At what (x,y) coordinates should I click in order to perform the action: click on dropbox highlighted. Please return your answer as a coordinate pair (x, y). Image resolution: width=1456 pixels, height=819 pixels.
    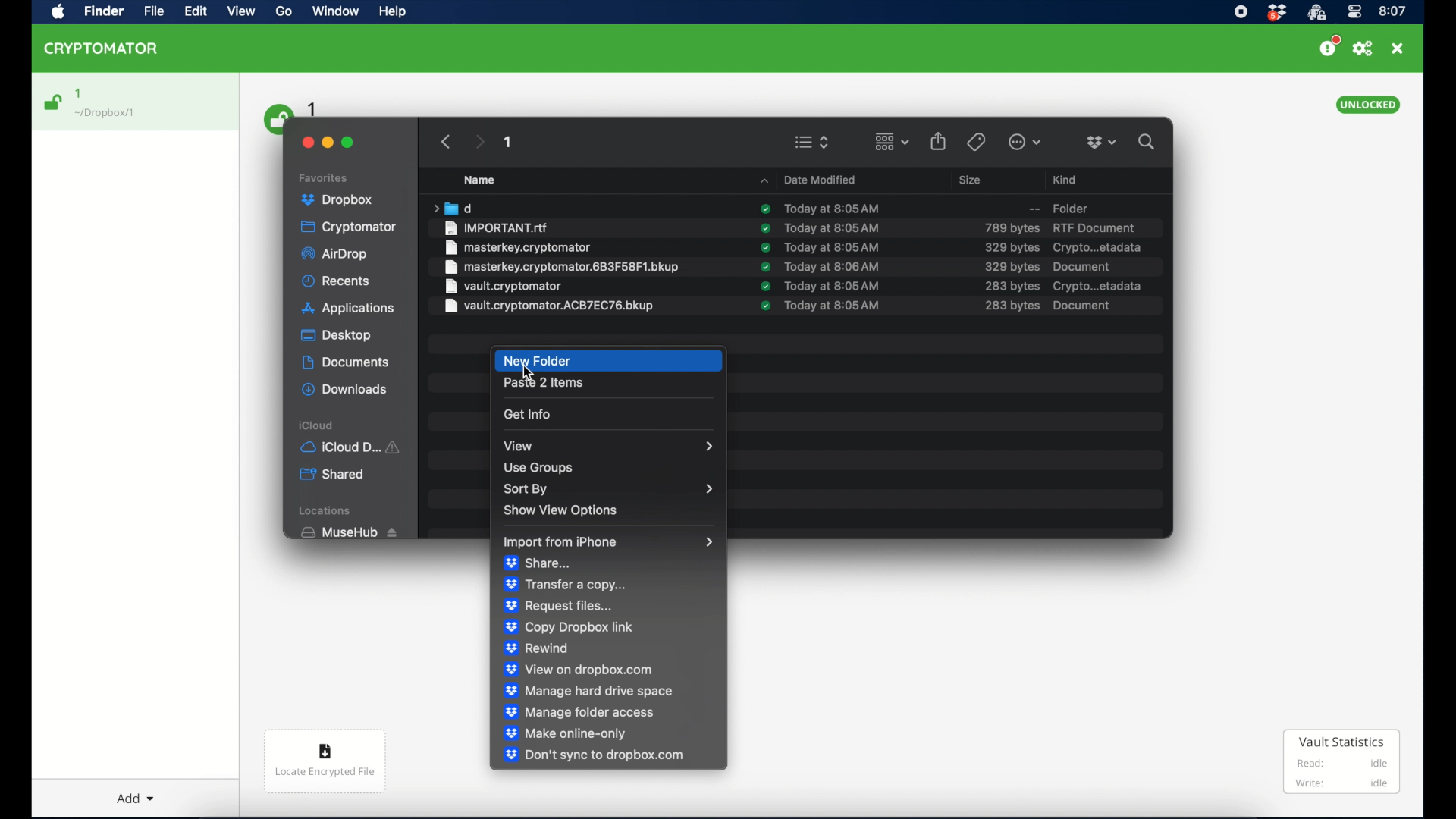
    Looking at the image, I should click on (343, 200).